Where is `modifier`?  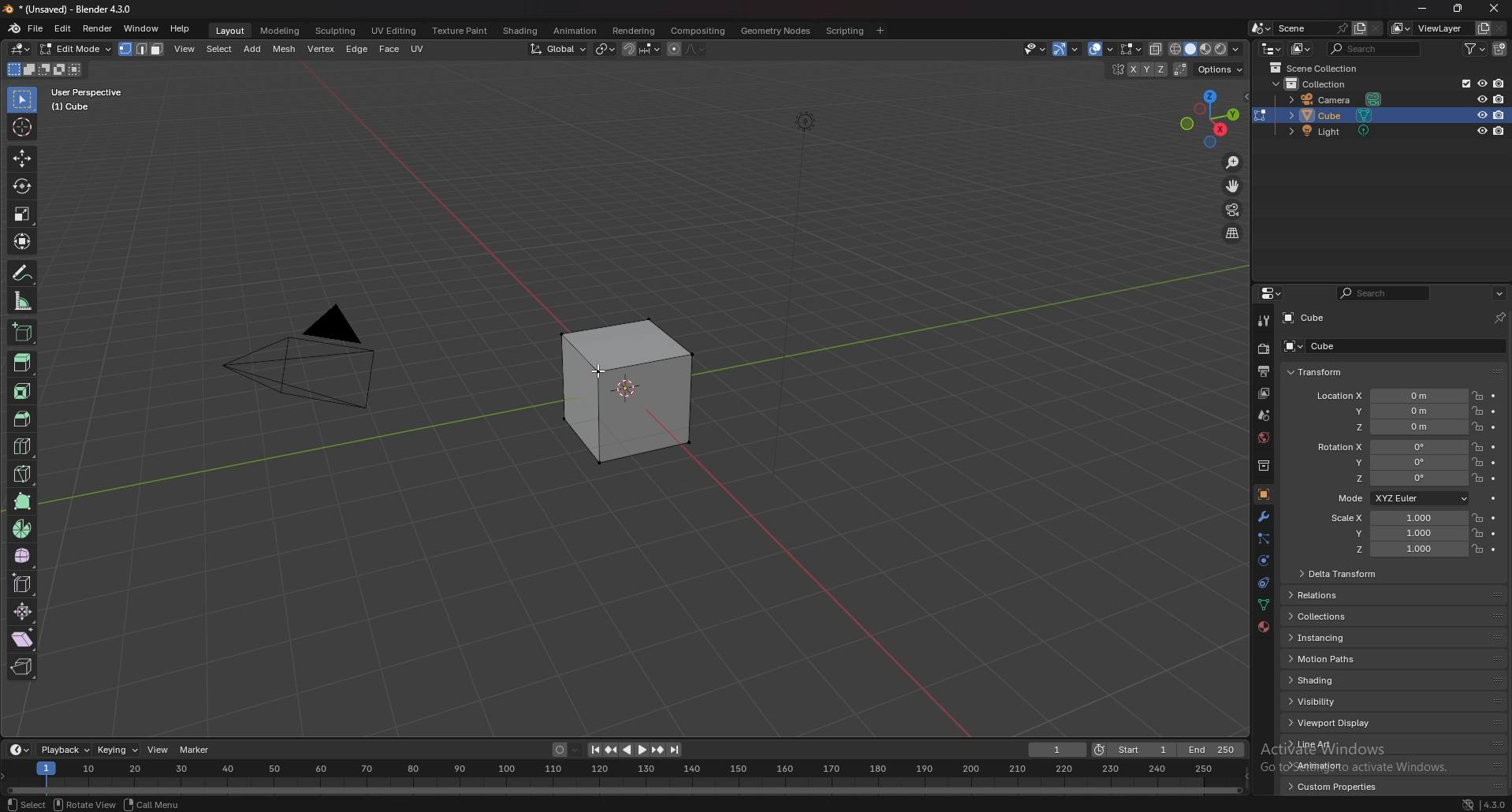 modifier is located at coordinates (1264, 517).